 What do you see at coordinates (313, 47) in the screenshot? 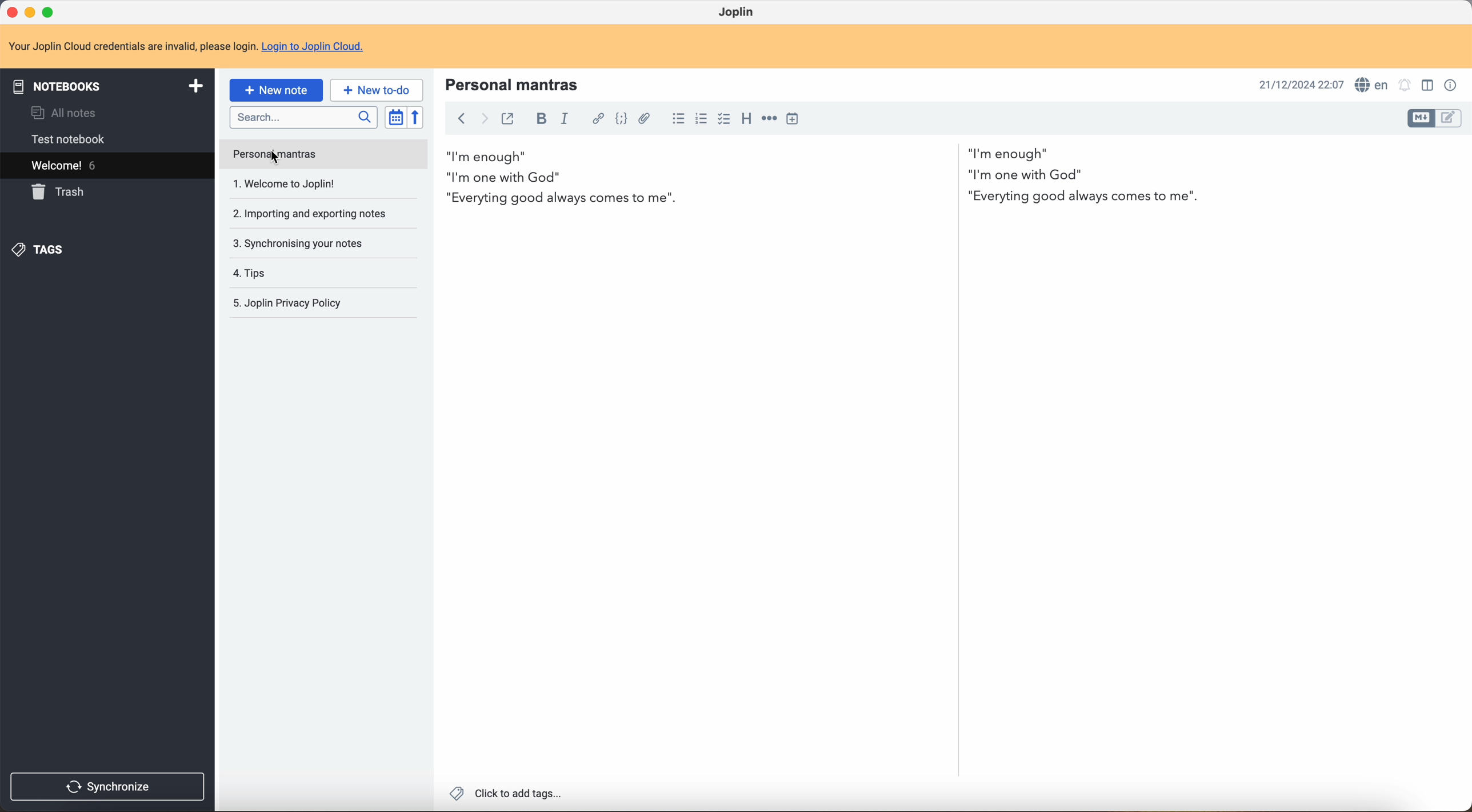
I see `Login to Joplin Cloud` at bounding box center [313, 47].